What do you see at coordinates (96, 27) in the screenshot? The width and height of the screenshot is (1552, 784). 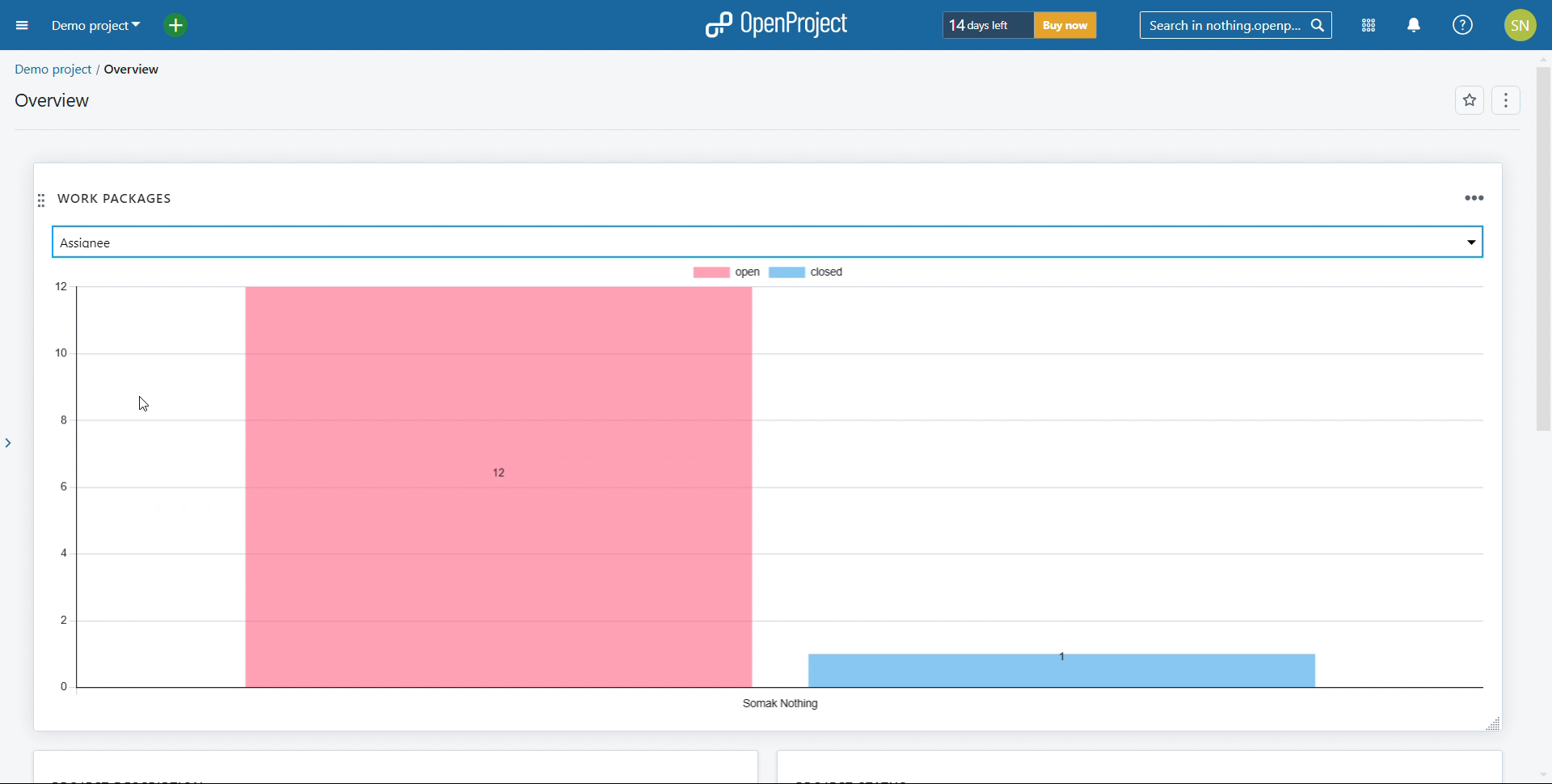 I see `demo project selected` at bounding box center [96, 27].